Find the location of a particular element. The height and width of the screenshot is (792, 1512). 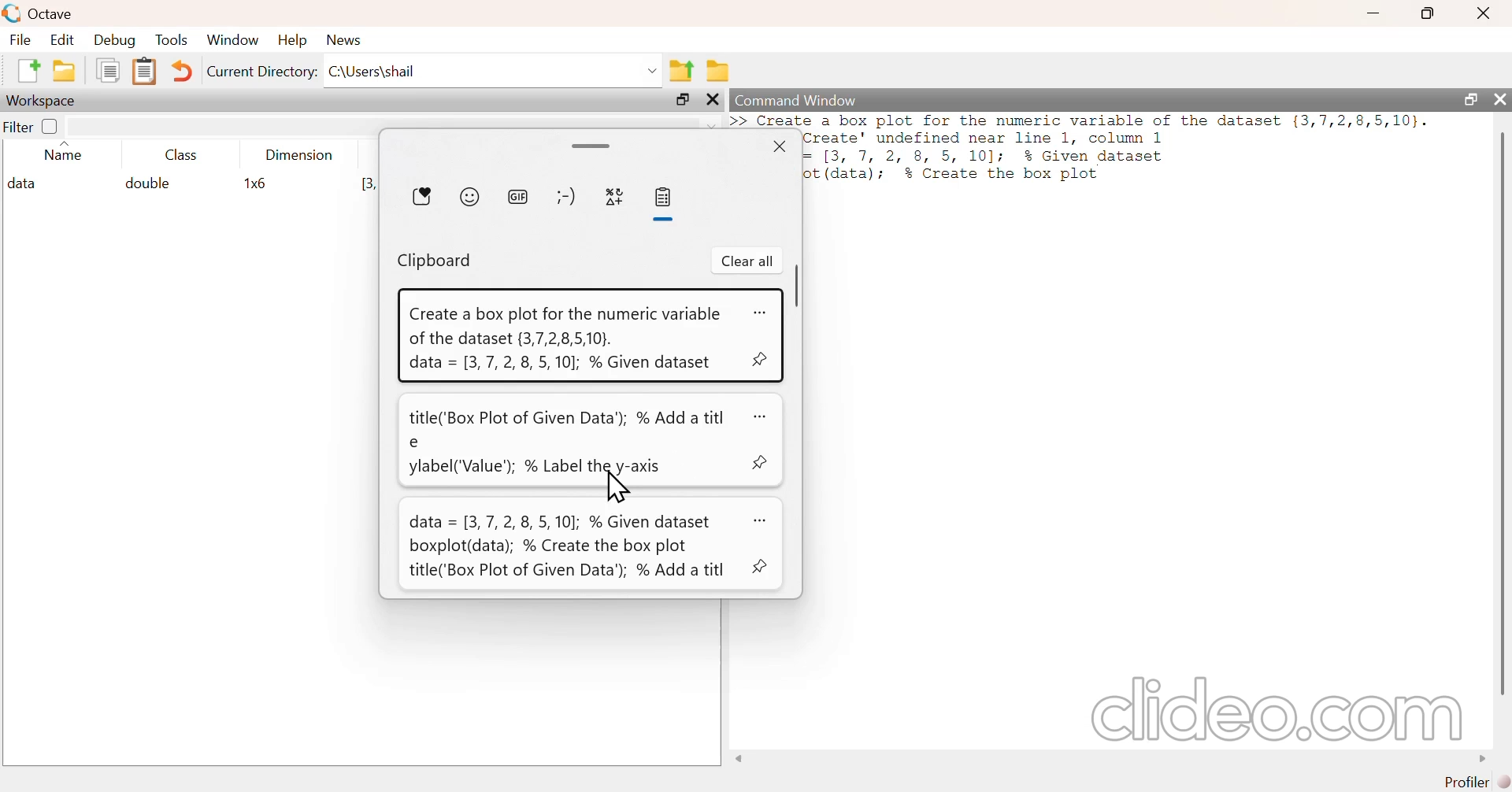

clear all is located at coordinates (749, 261).